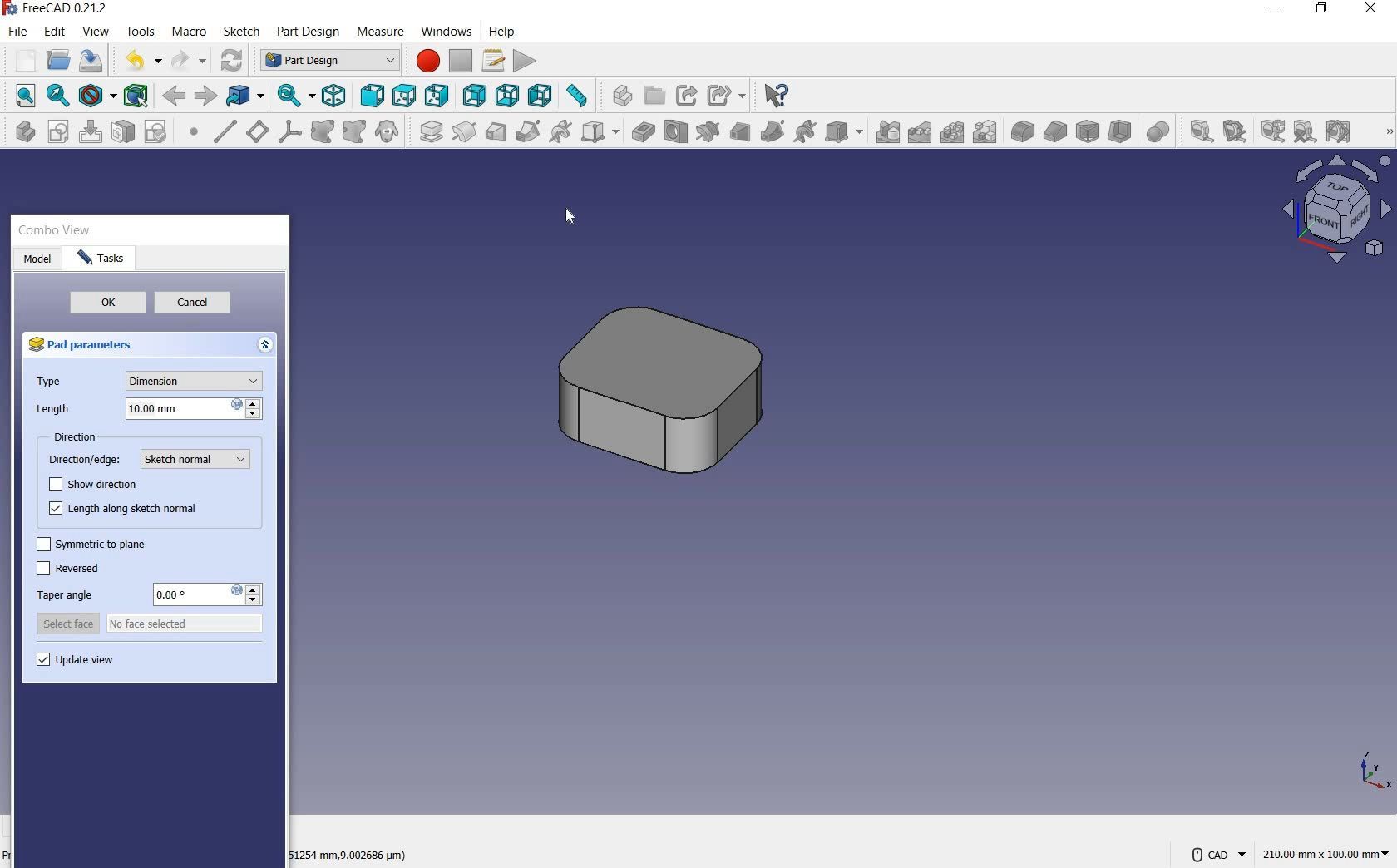 This screenshot has height=868, width=1397. Describe the element at coordinates (143, 33) in the screenshot. I see `tools` at that location.